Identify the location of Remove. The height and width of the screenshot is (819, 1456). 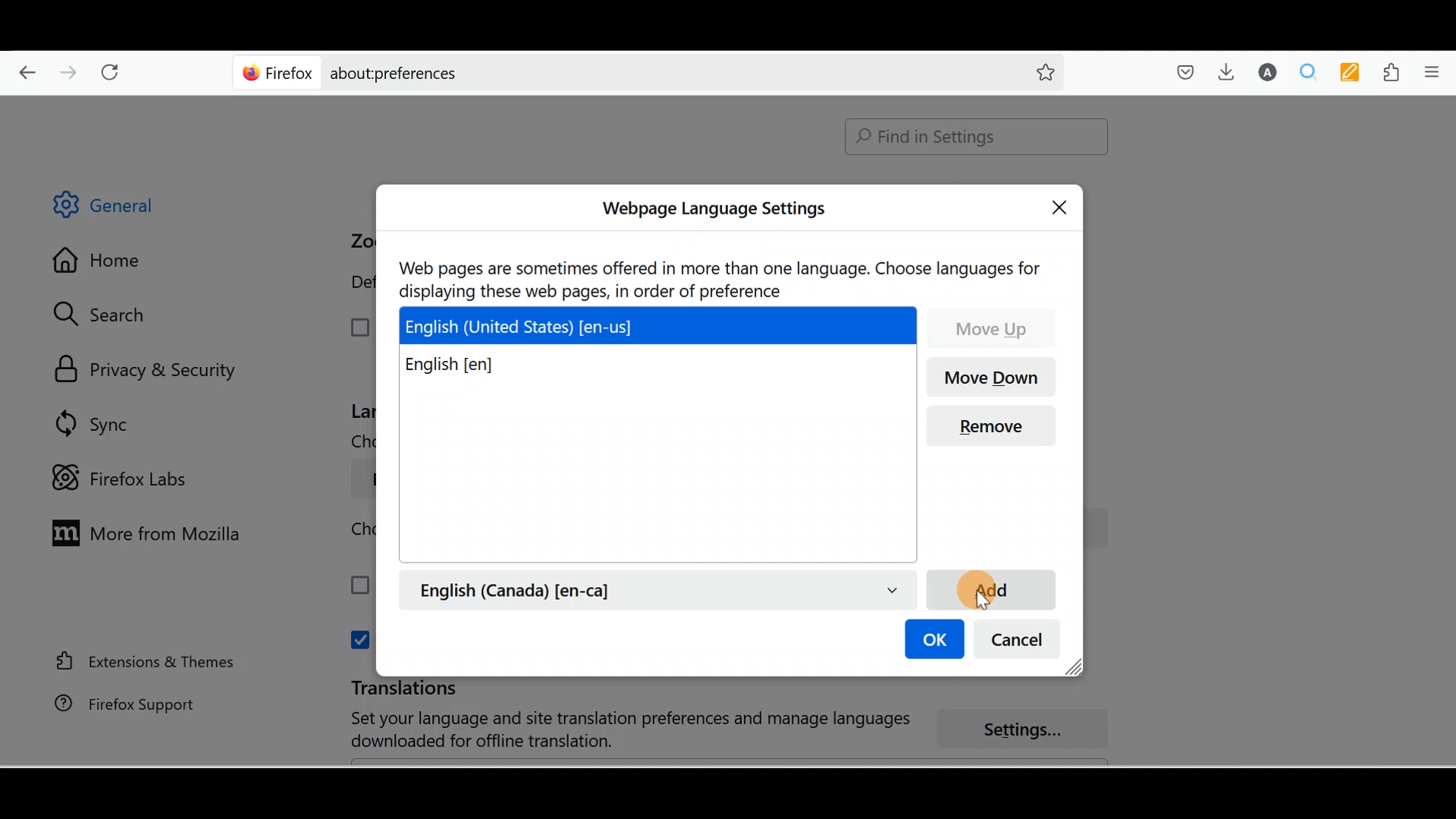
(998, 426).